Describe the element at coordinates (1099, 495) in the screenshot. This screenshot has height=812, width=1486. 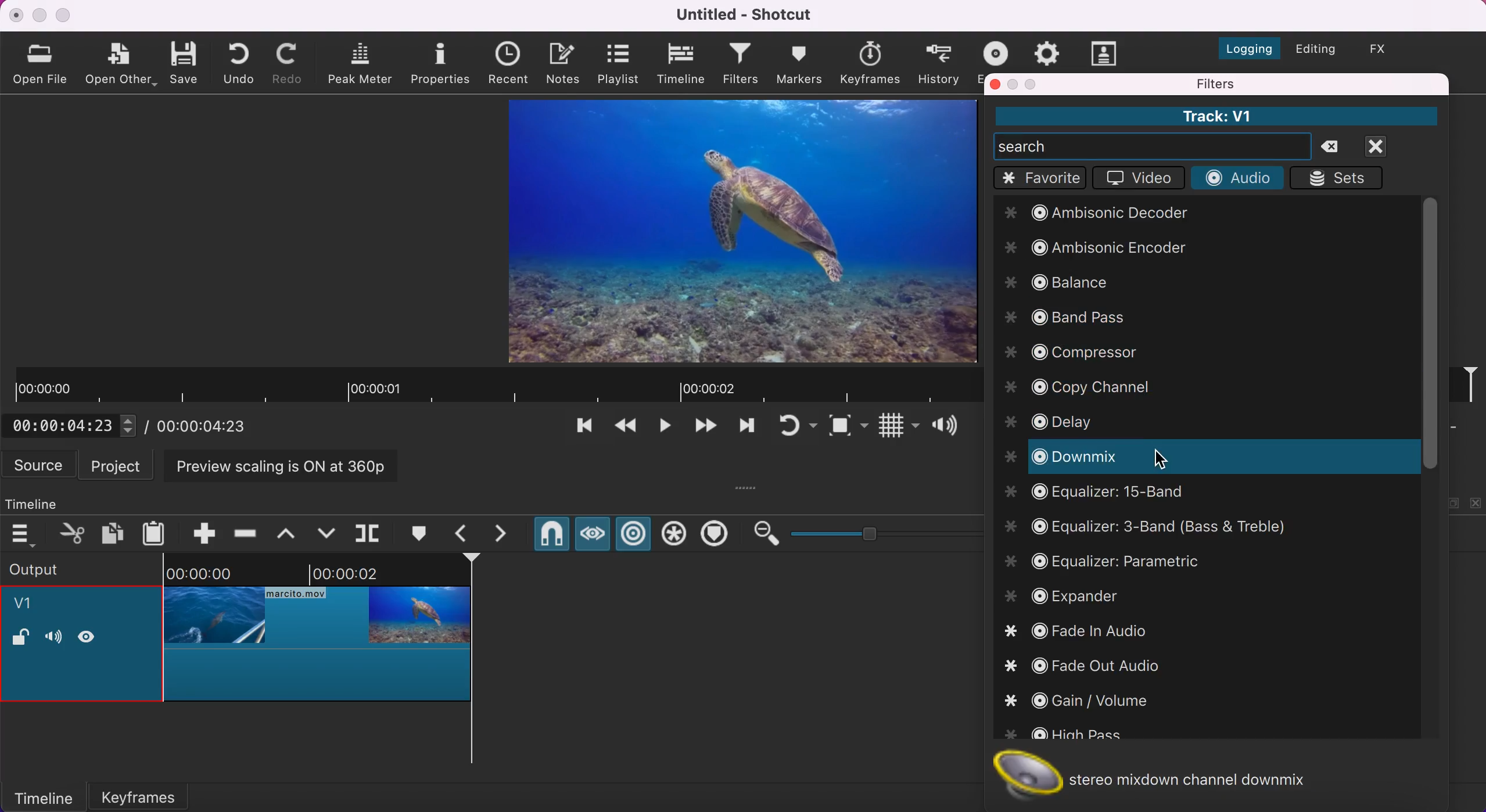
I see `equalizer: 15-band` at that location.